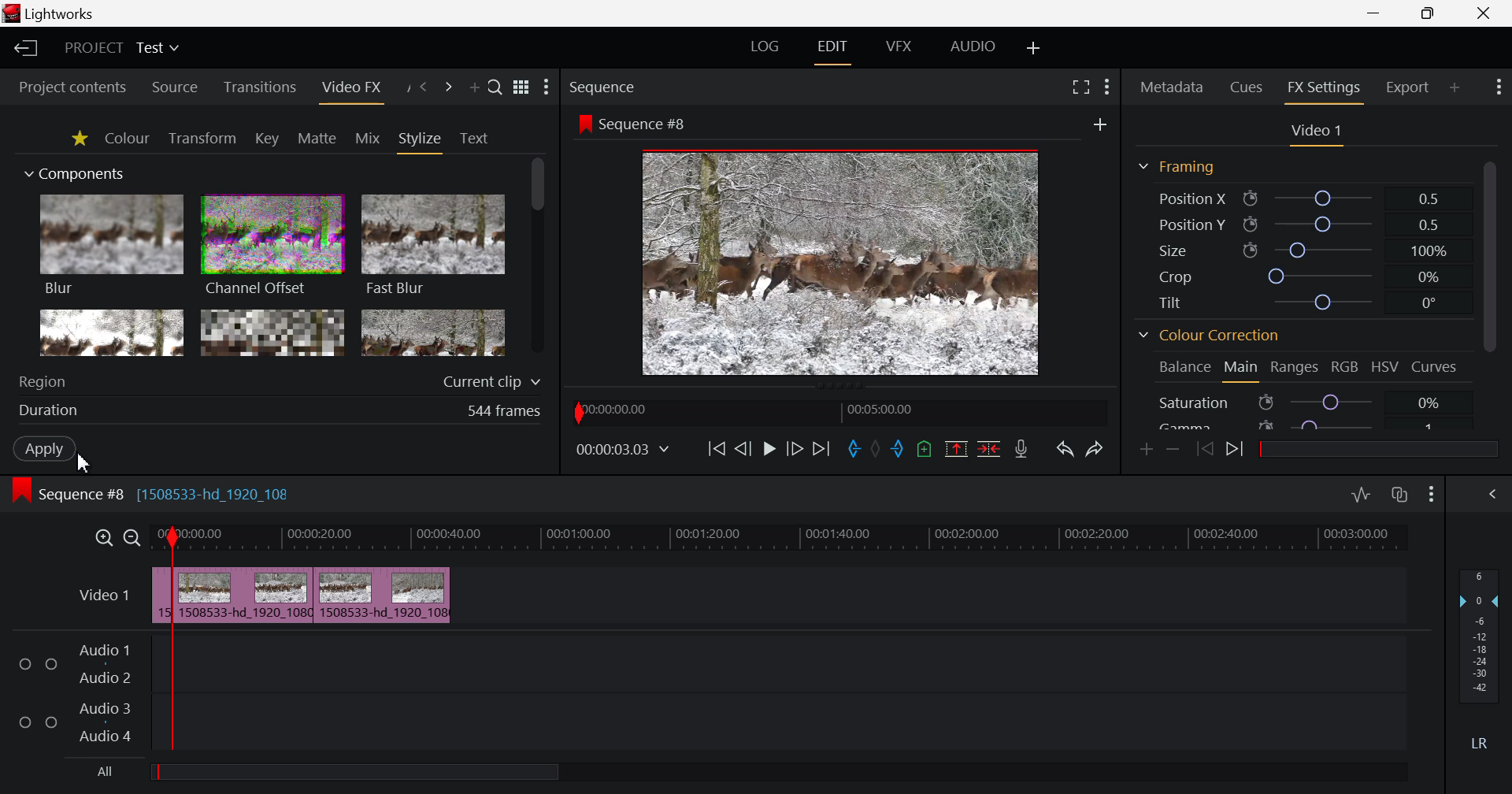 The width and height of the screenshot is (1512, 794). I want to click on Favorites, so click(77, 139).